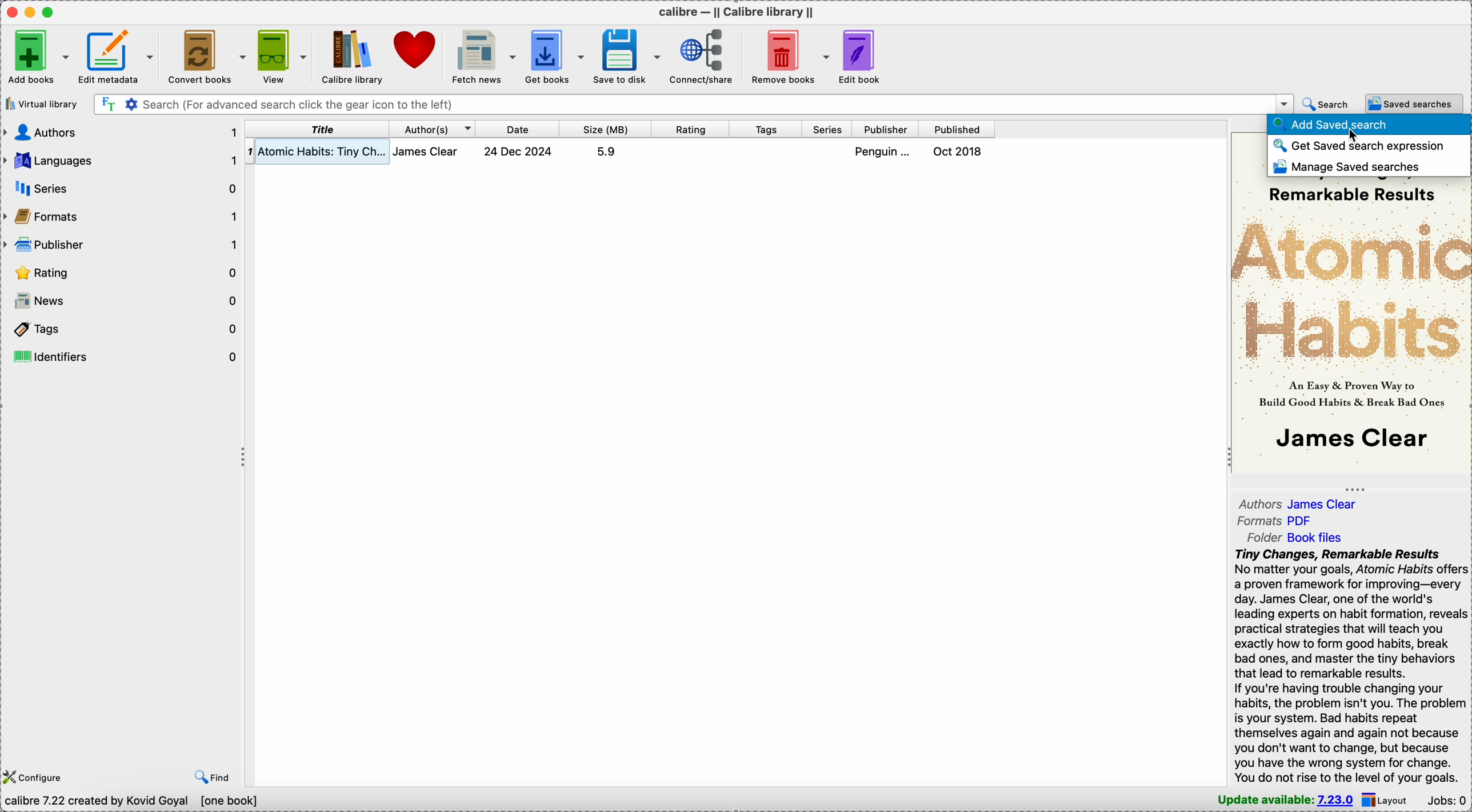  I want to click on james clear, so click(432, 151).